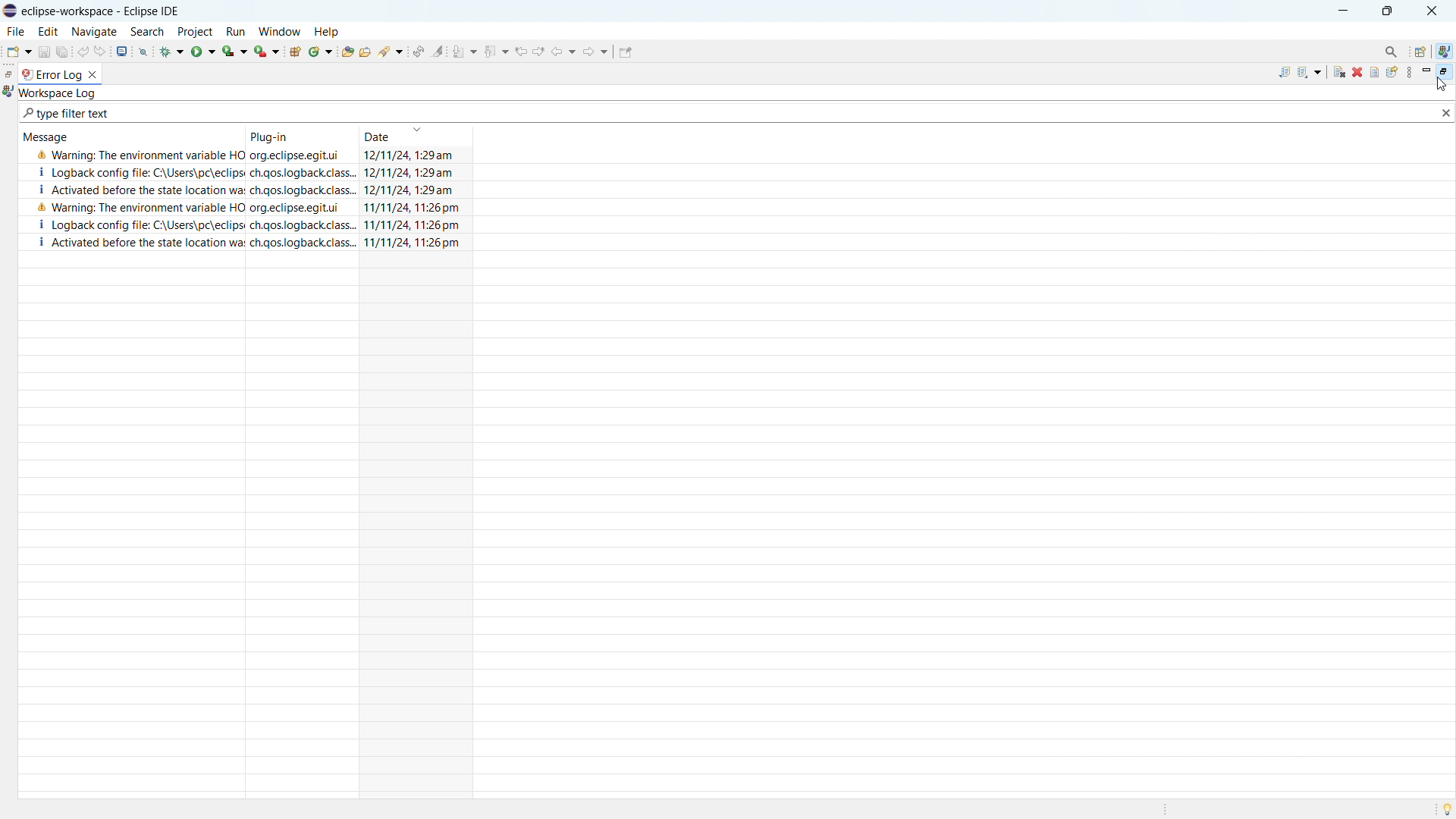 The height and width of the screenshot is (819, 1456). What do you see at coordinates (280, 31) in the screenshot?
I see `window` at bounding box center [280, 31].